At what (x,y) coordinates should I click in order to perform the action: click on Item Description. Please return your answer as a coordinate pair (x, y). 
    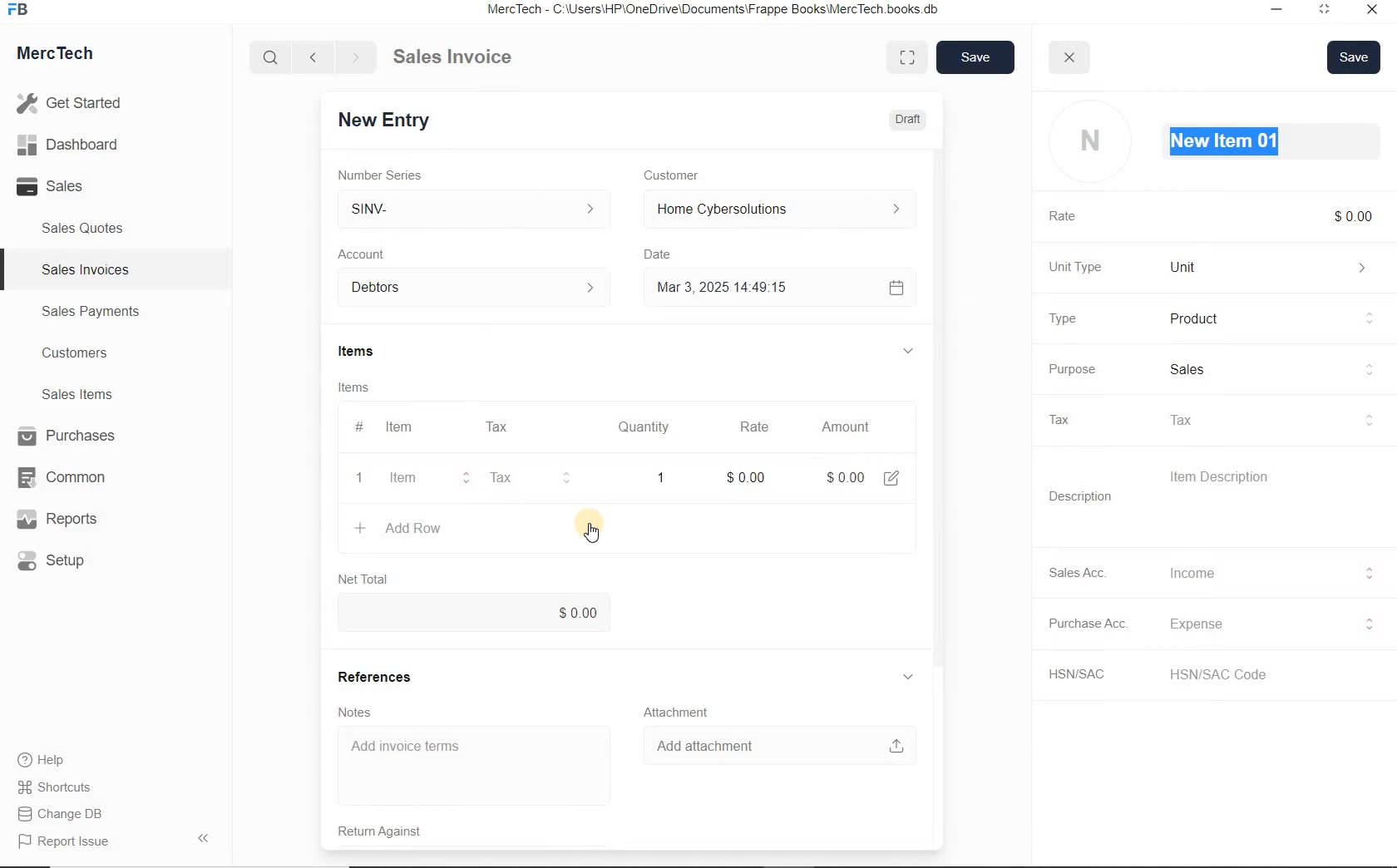
    Looking at the image, I should click on (1227, 477).